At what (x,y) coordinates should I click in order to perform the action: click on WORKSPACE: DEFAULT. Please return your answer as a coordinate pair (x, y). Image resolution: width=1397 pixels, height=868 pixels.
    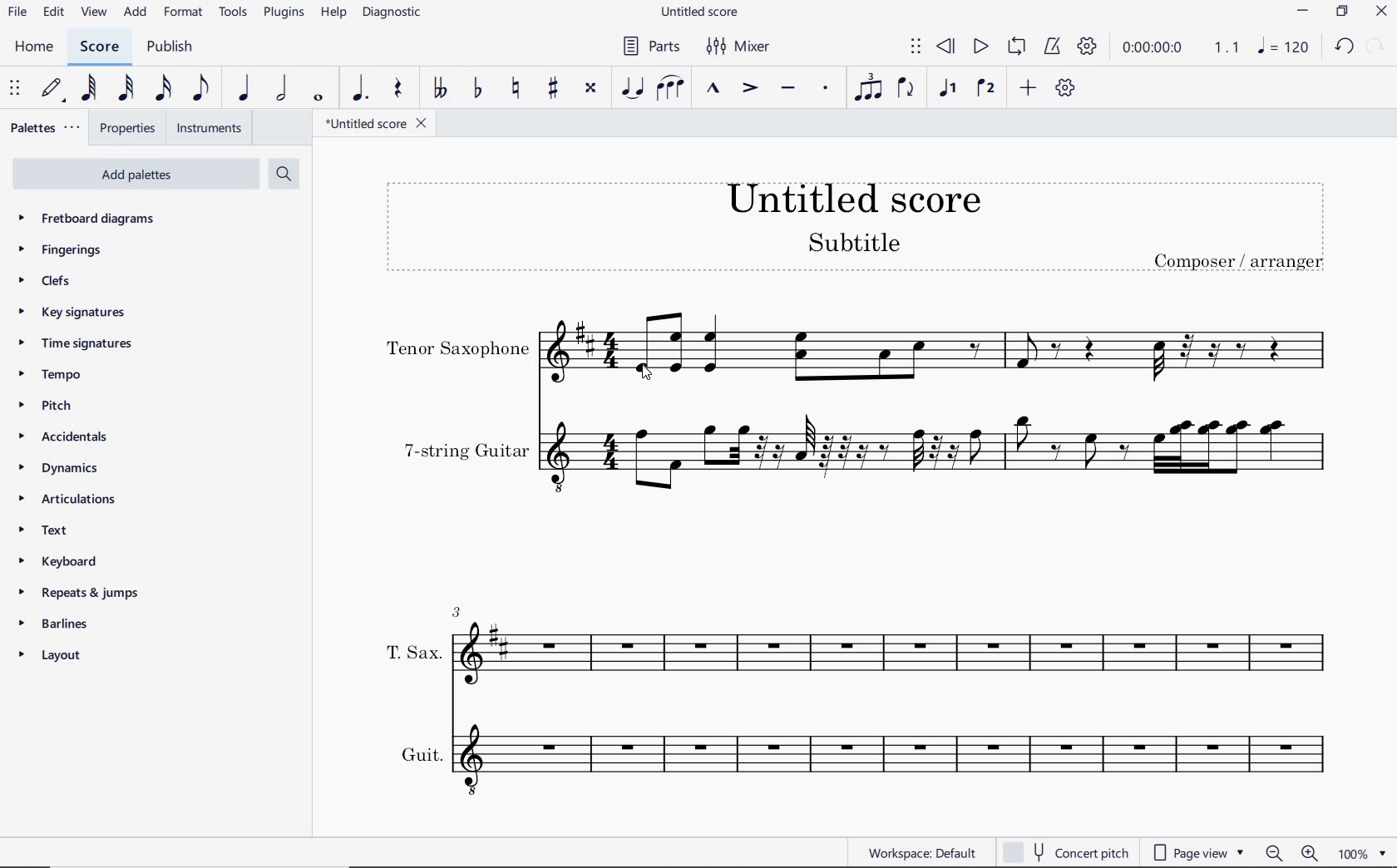
    Looking at the image, I should click on (926, 851).